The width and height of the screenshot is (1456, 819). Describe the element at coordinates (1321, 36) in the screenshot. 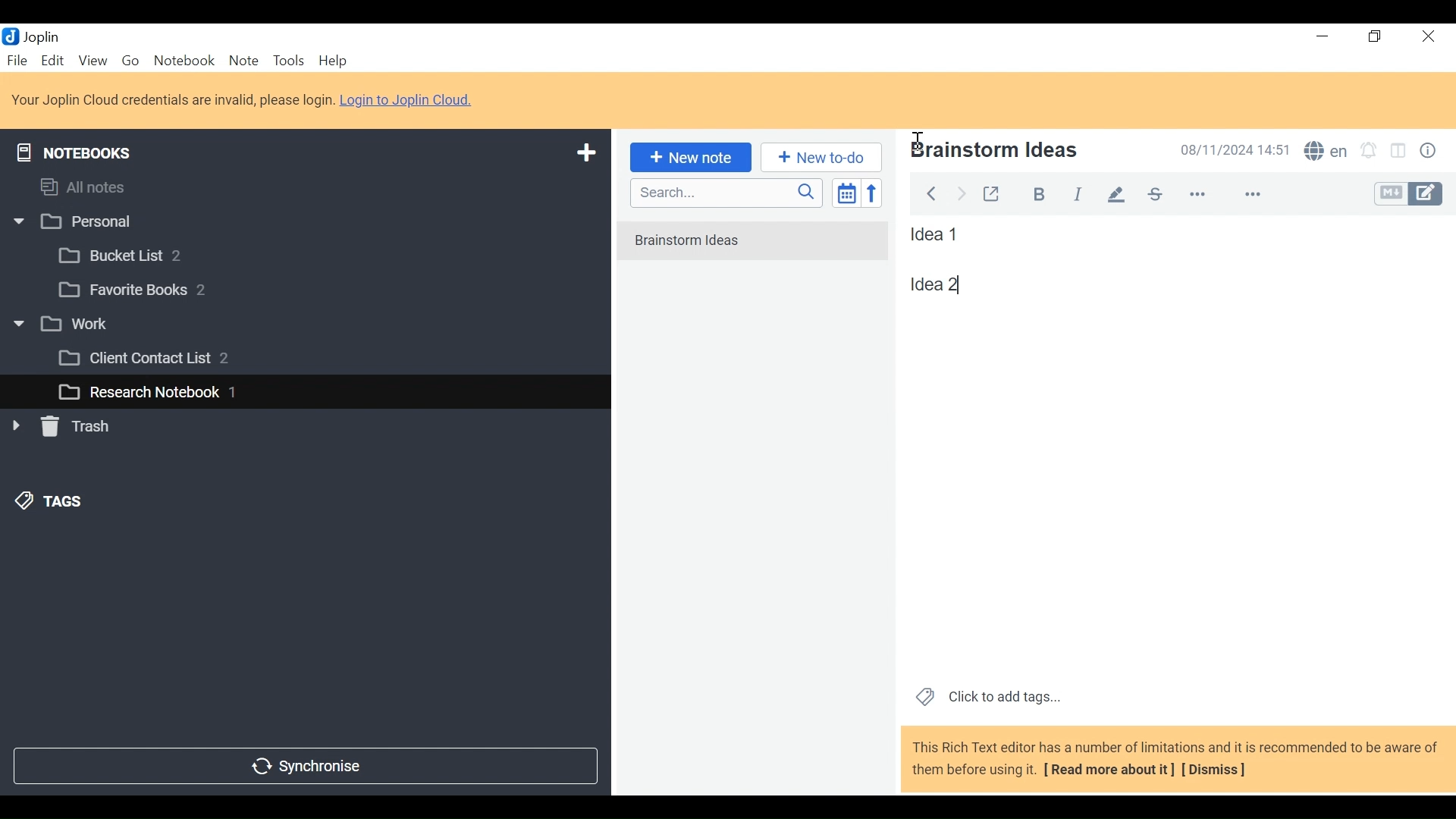

I see `Minimize` at that location.